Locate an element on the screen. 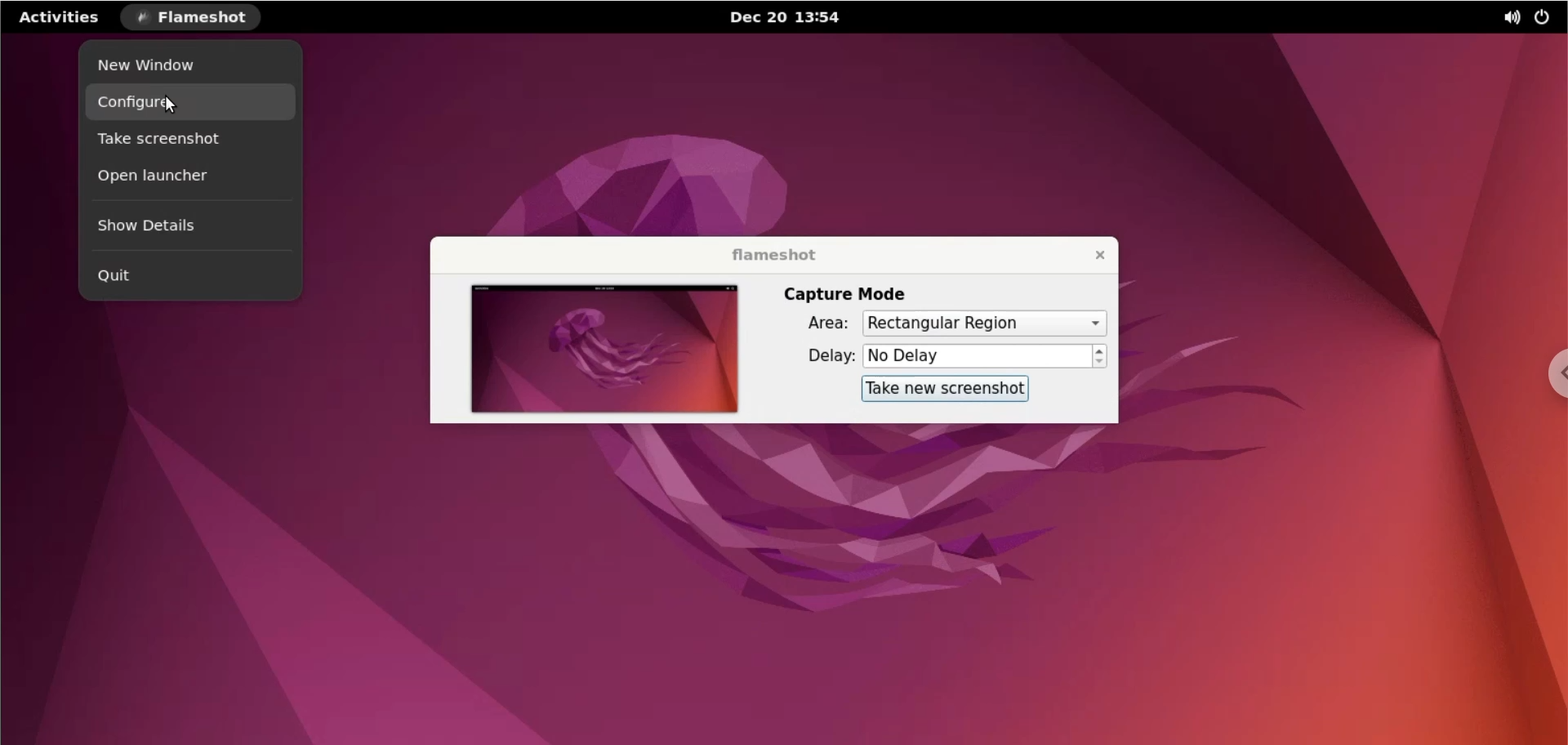 This screenshot has height=745, width=1568. power options is located at coordinates (1542, 18).